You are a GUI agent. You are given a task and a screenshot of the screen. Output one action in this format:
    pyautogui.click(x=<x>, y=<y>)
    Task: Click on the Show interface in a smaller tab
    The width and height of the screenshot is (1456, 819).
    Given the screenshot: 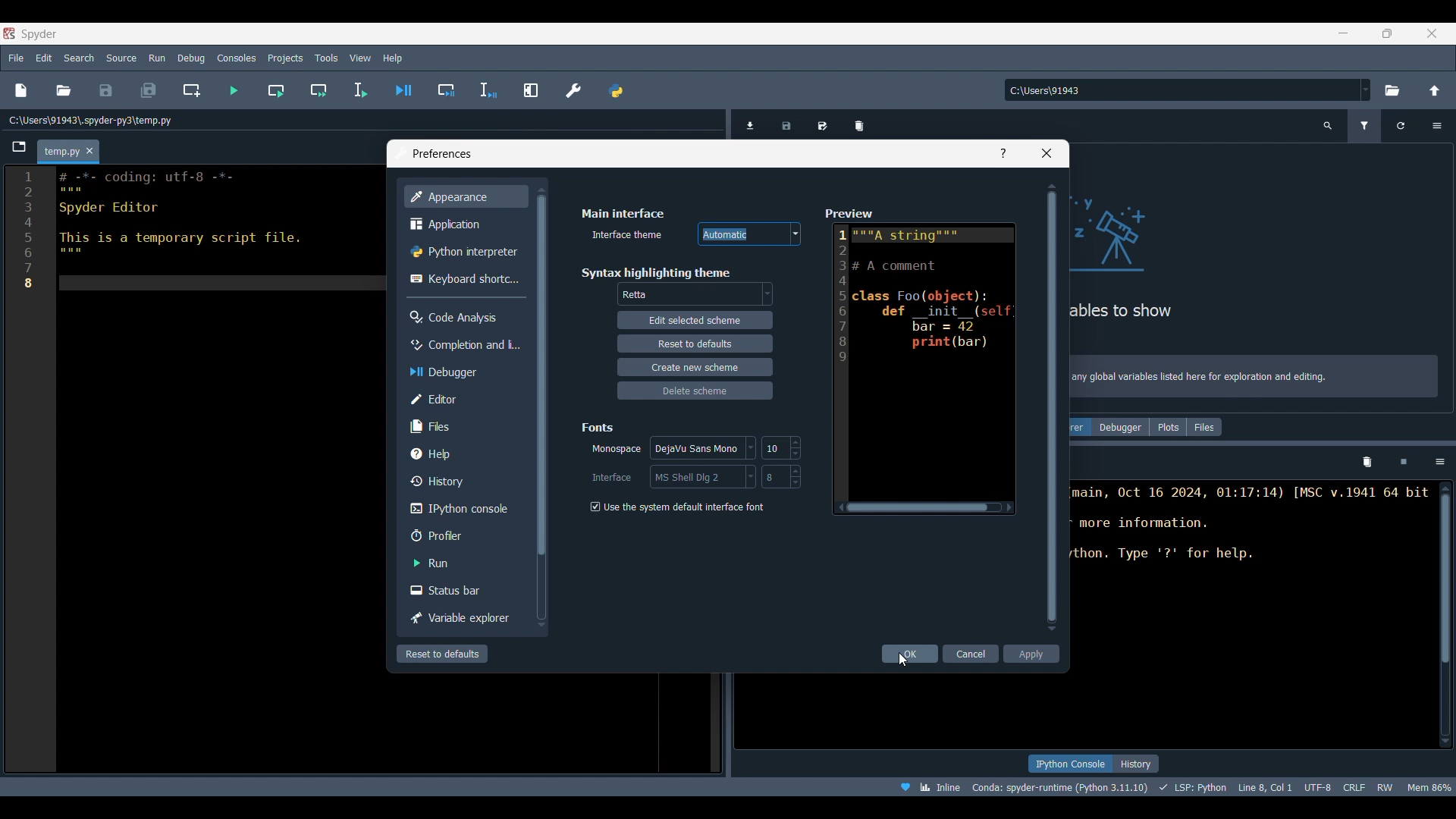 What is the action you would take?
    pyautogui.click(x=1387, y=33)
    